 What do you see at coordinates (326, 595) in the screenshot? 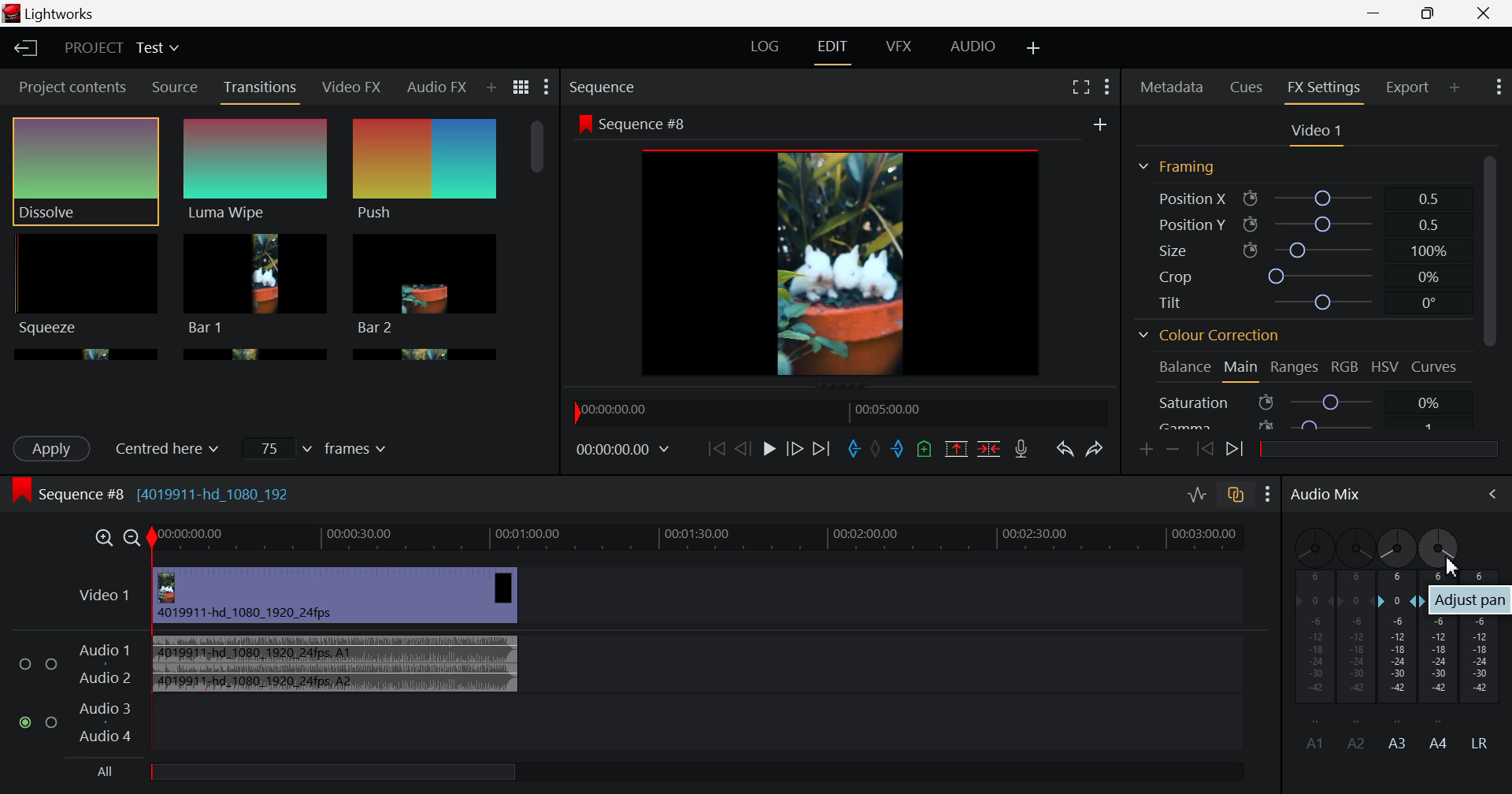
I see `Video Input` at bounding box center [326, 595].